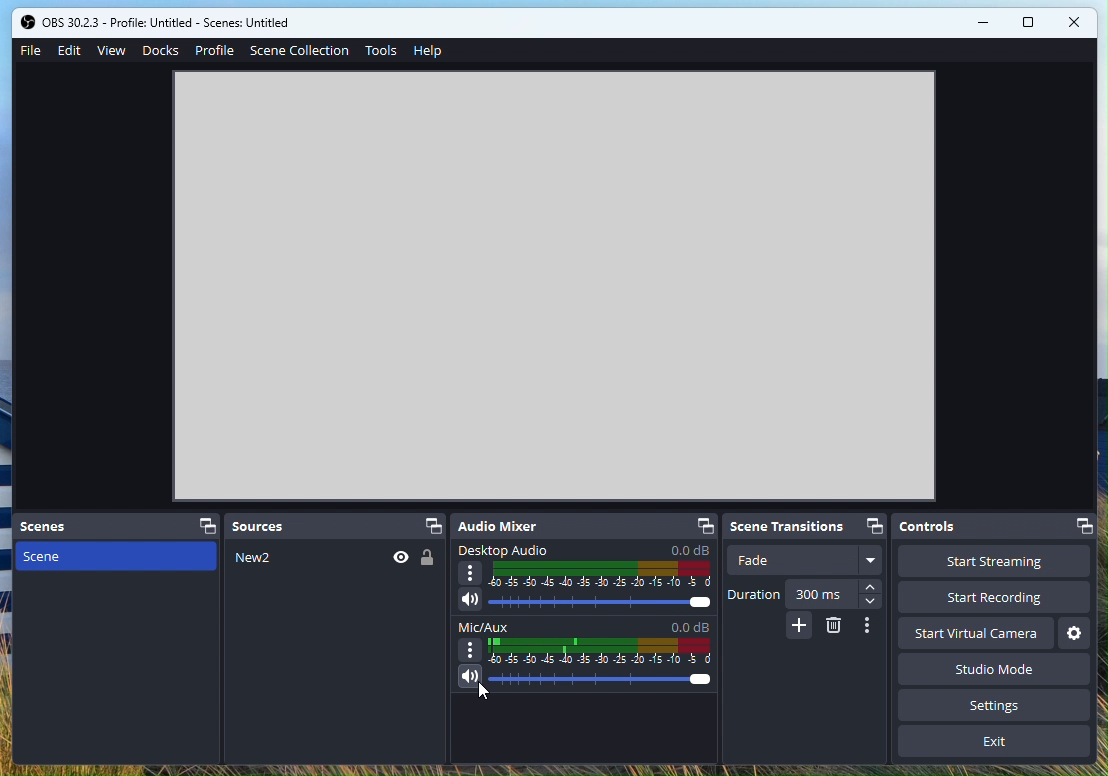  Describe the element at coordinates (163, 50) in the screenshot. I see `Docks` at that location.